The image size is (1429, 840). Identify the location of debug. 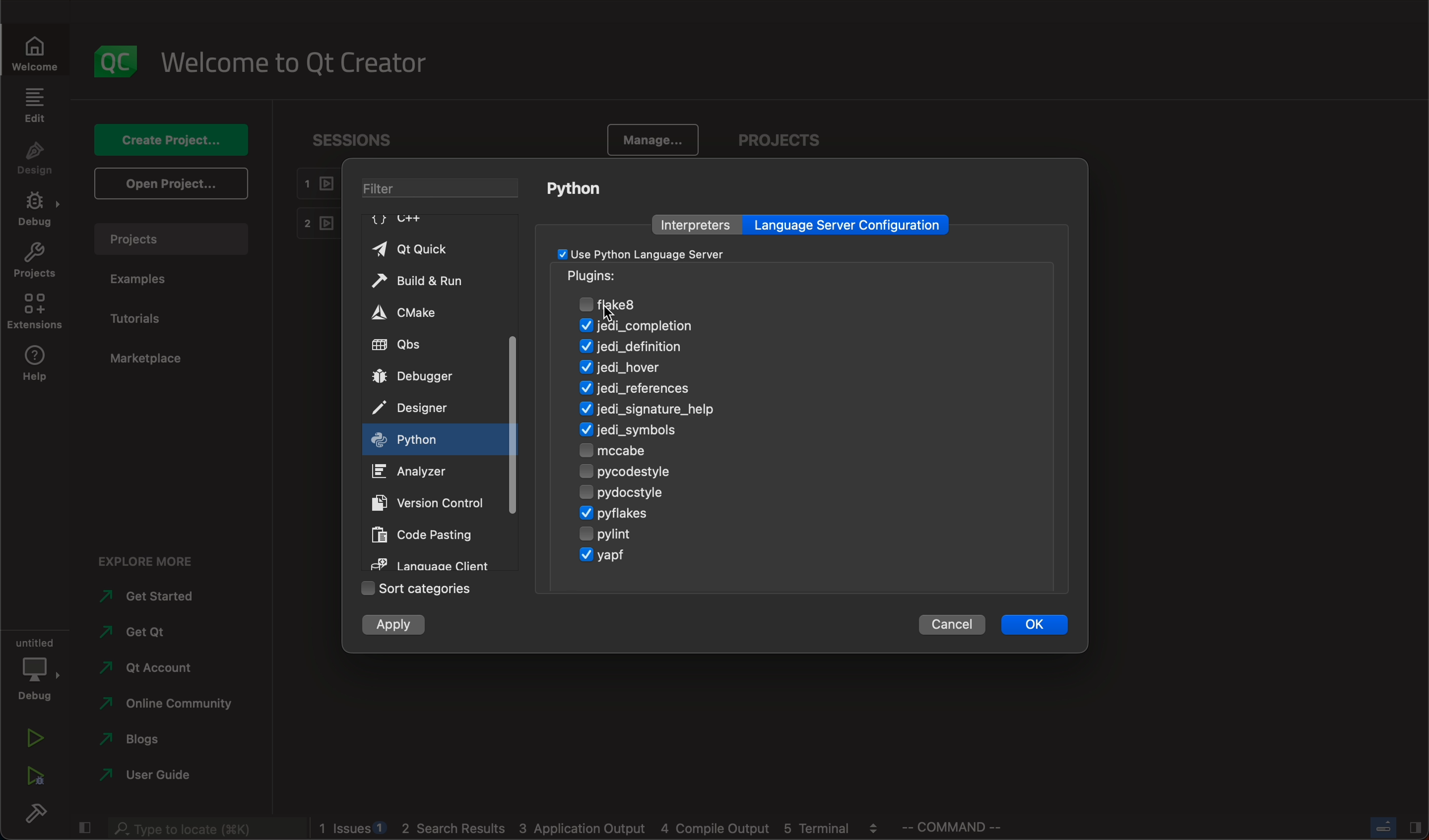
(38, 669).